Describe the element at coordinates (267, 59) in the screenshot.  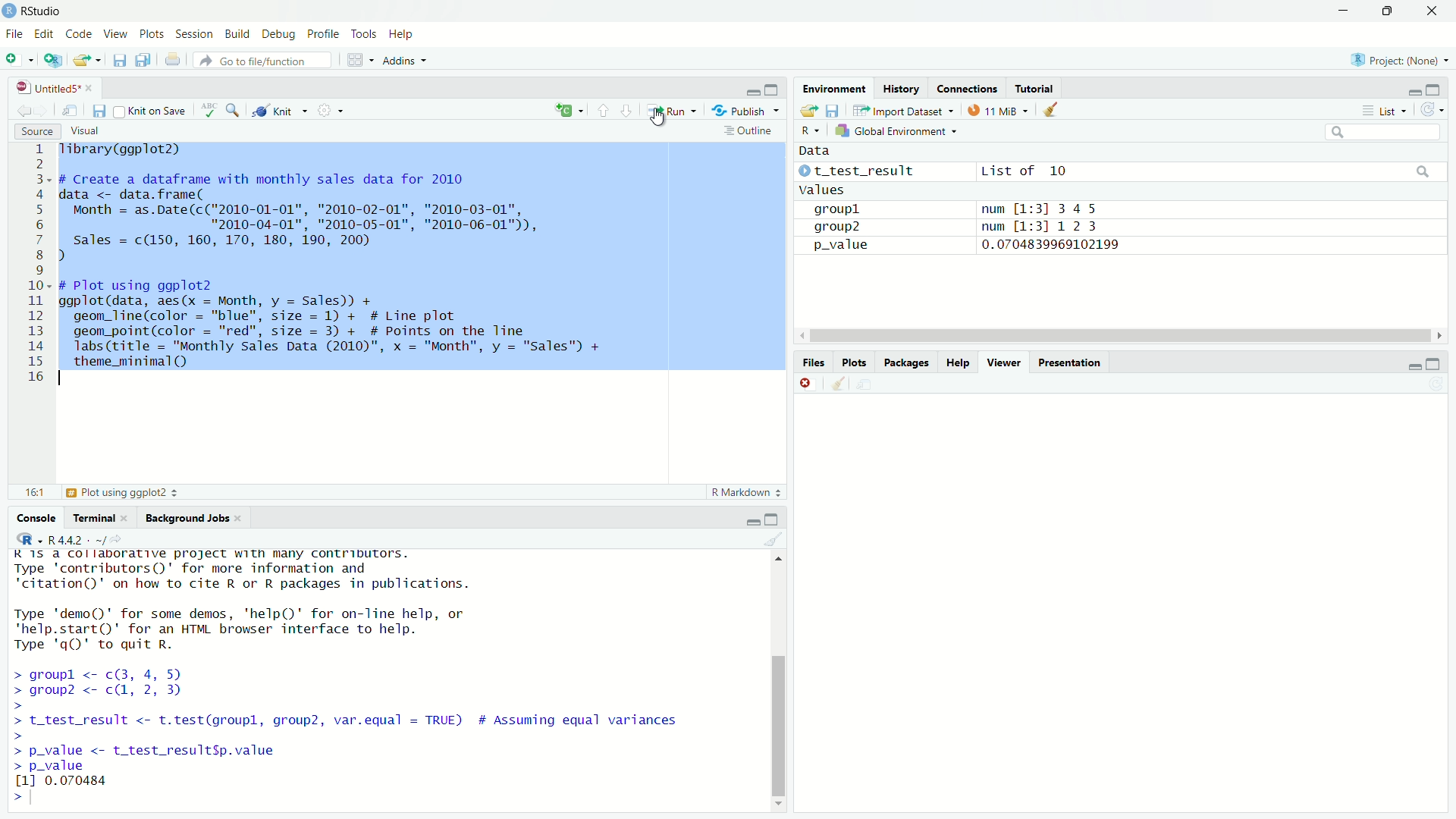
I see `Go to file/function` at that location.